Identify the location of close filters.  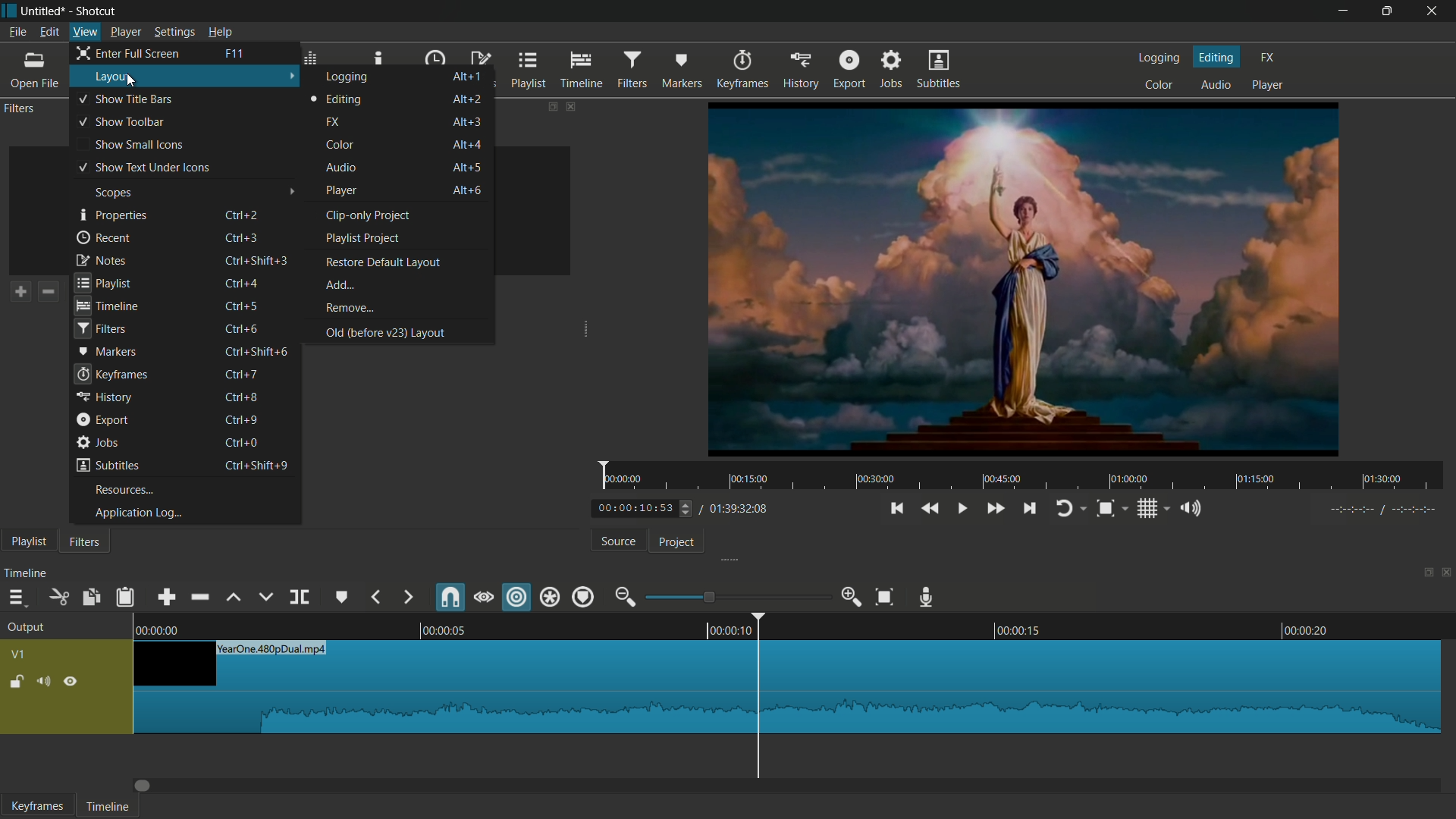
(570, 106).